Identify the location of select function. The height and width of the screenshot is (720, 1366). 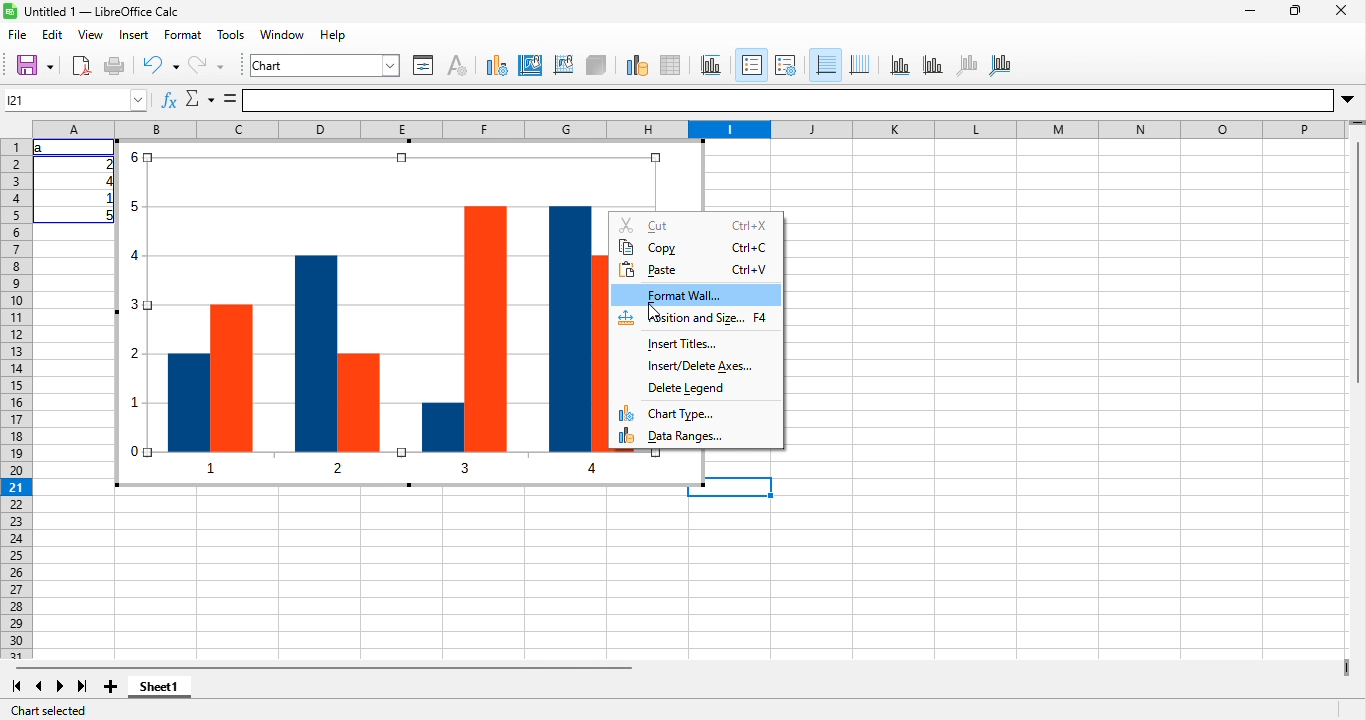
(199, 99).